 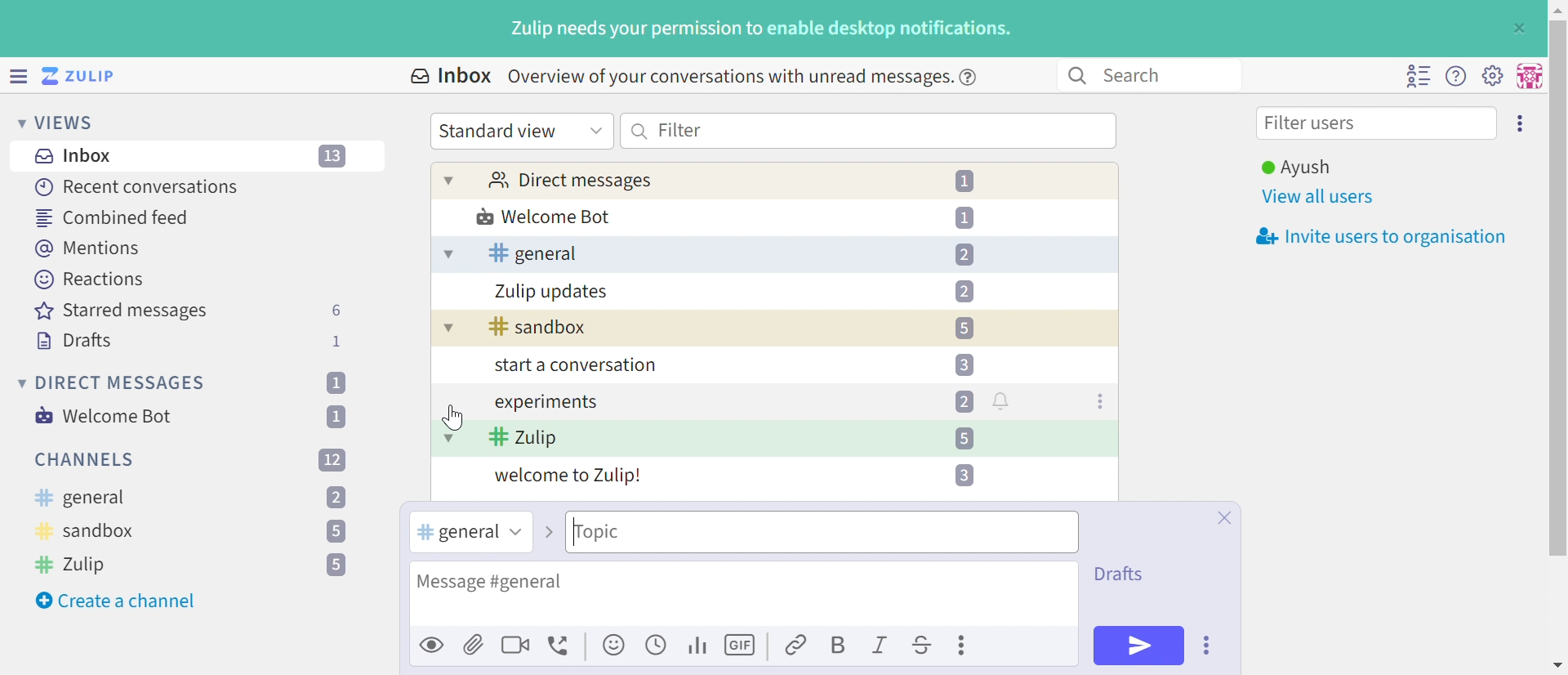 I want to click on CHANNELS, so click(x=86, y=460).